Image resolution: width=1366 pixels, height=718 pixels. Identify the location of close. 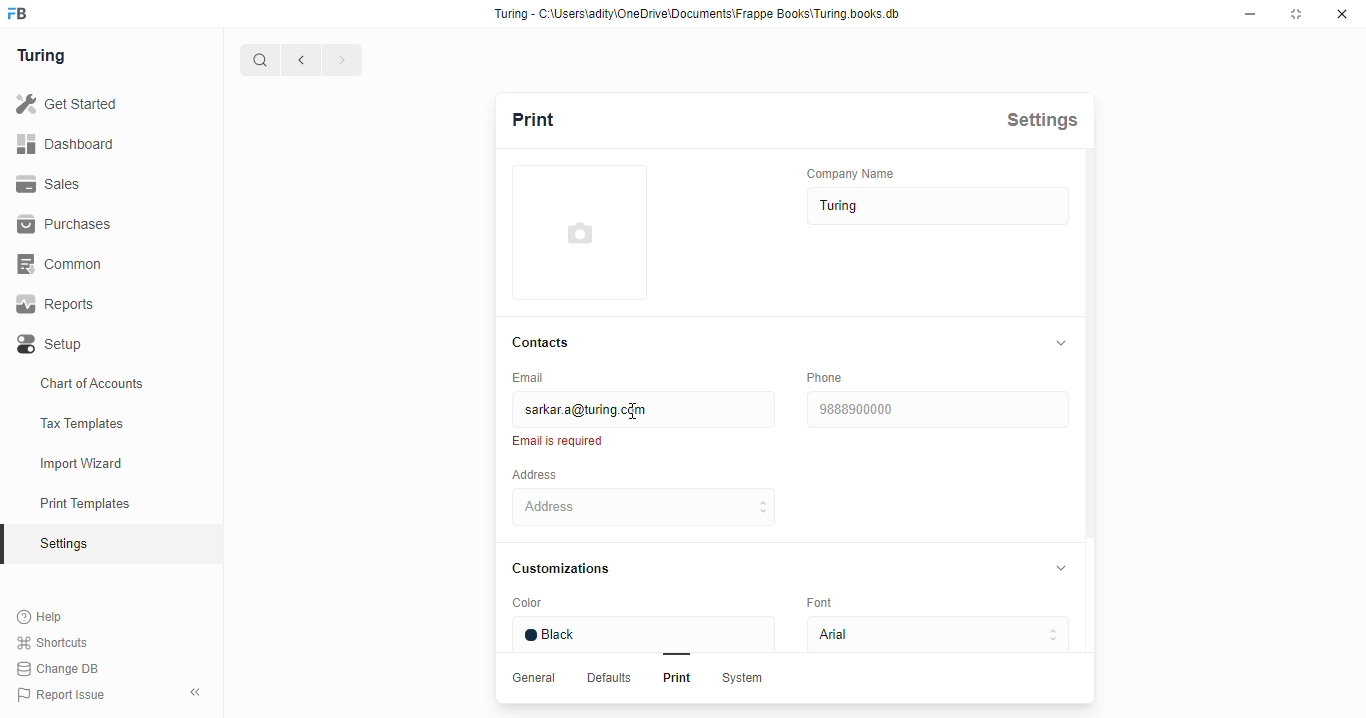
(1345, 15).